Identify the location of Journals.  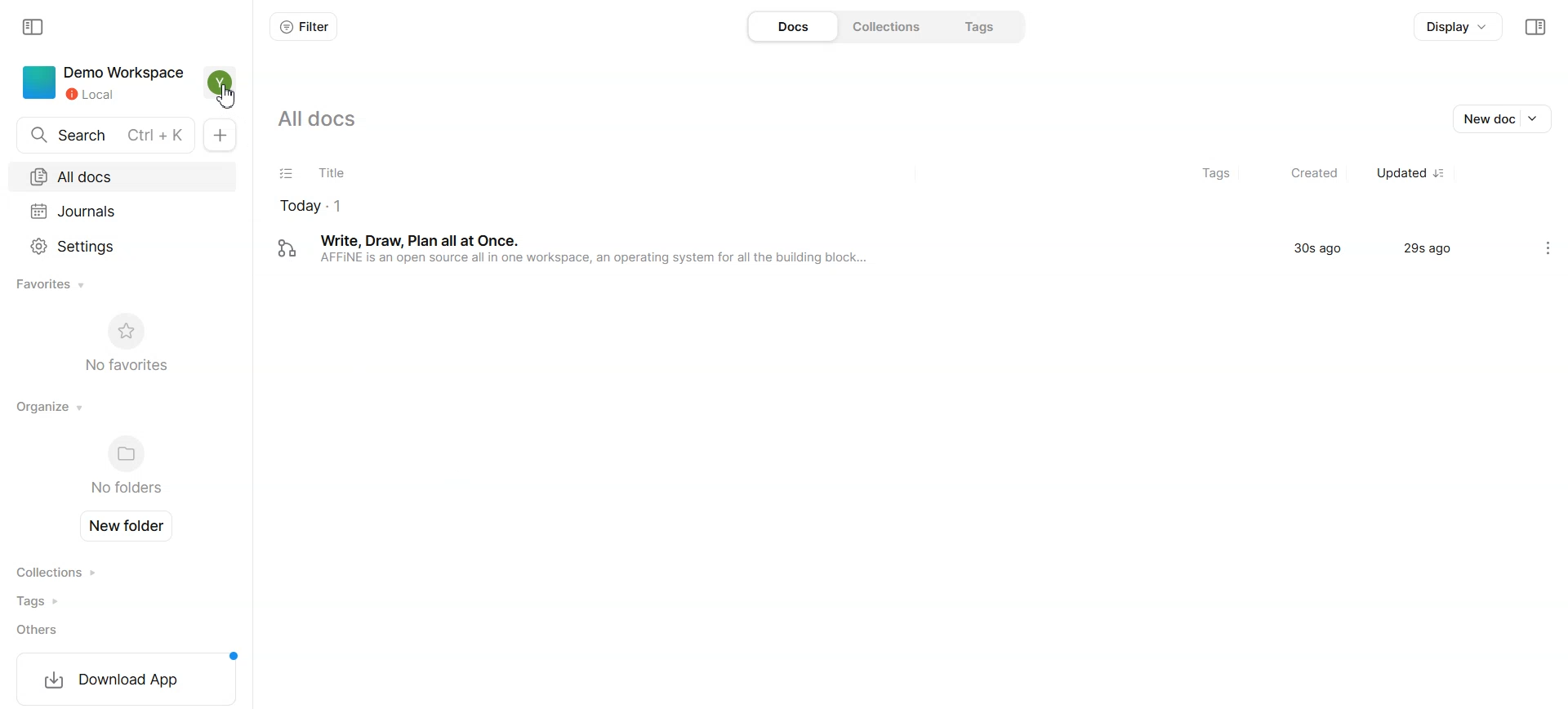
(125, 208).